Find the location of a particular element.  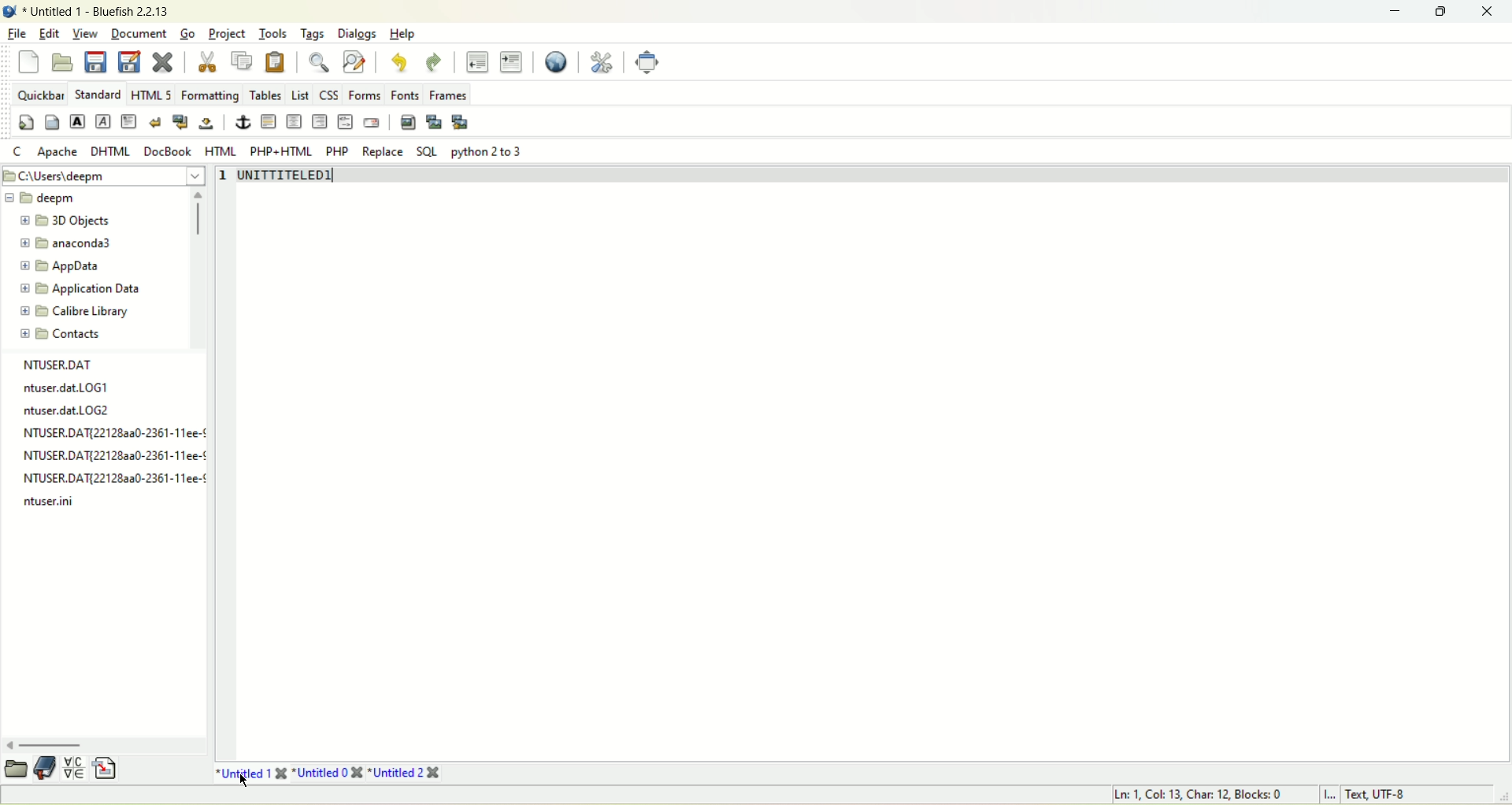

break and clear is located at coordinates (180, 123).